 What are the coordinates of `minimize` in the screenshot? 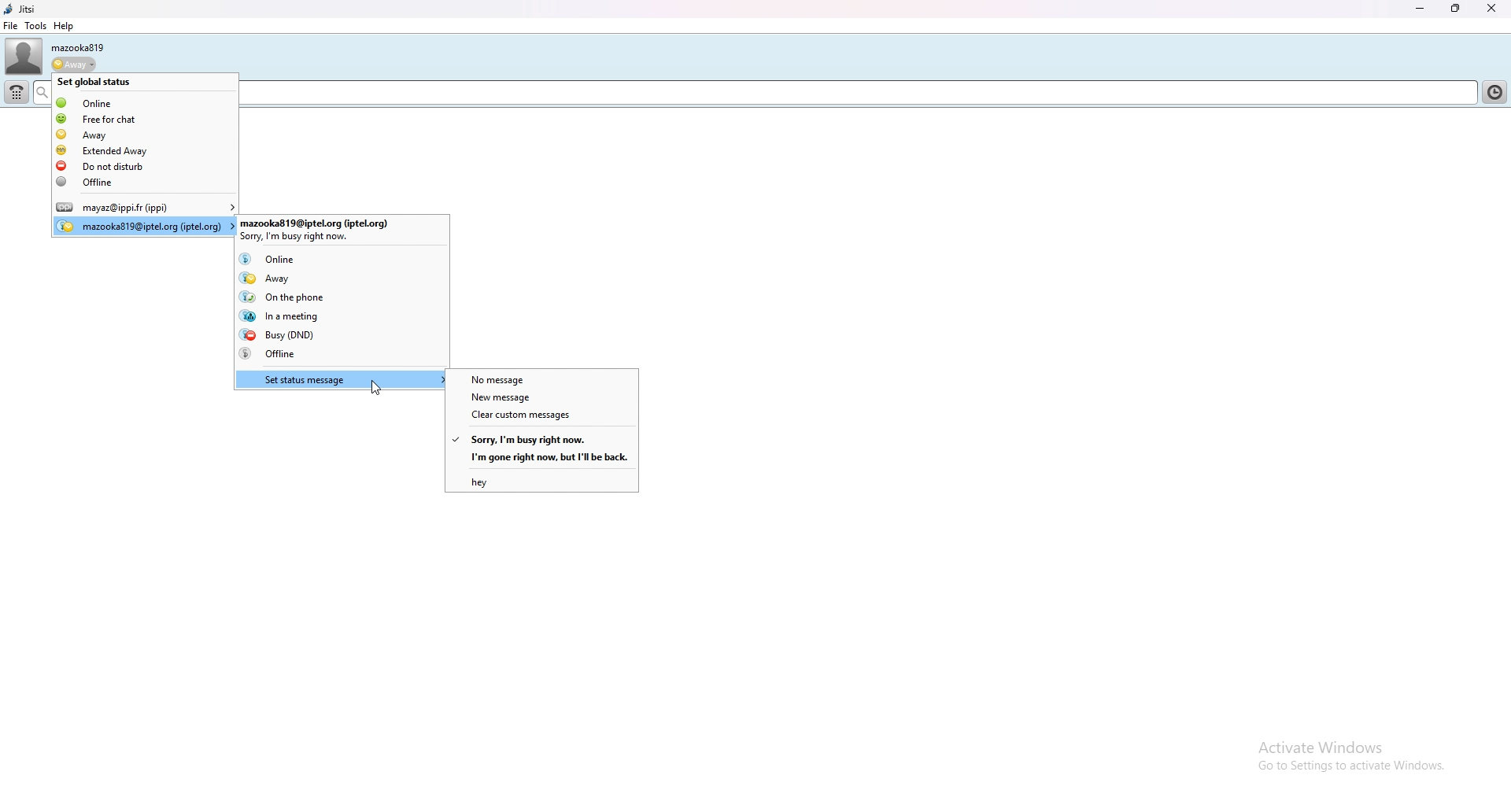 It's located at (1420, 9).